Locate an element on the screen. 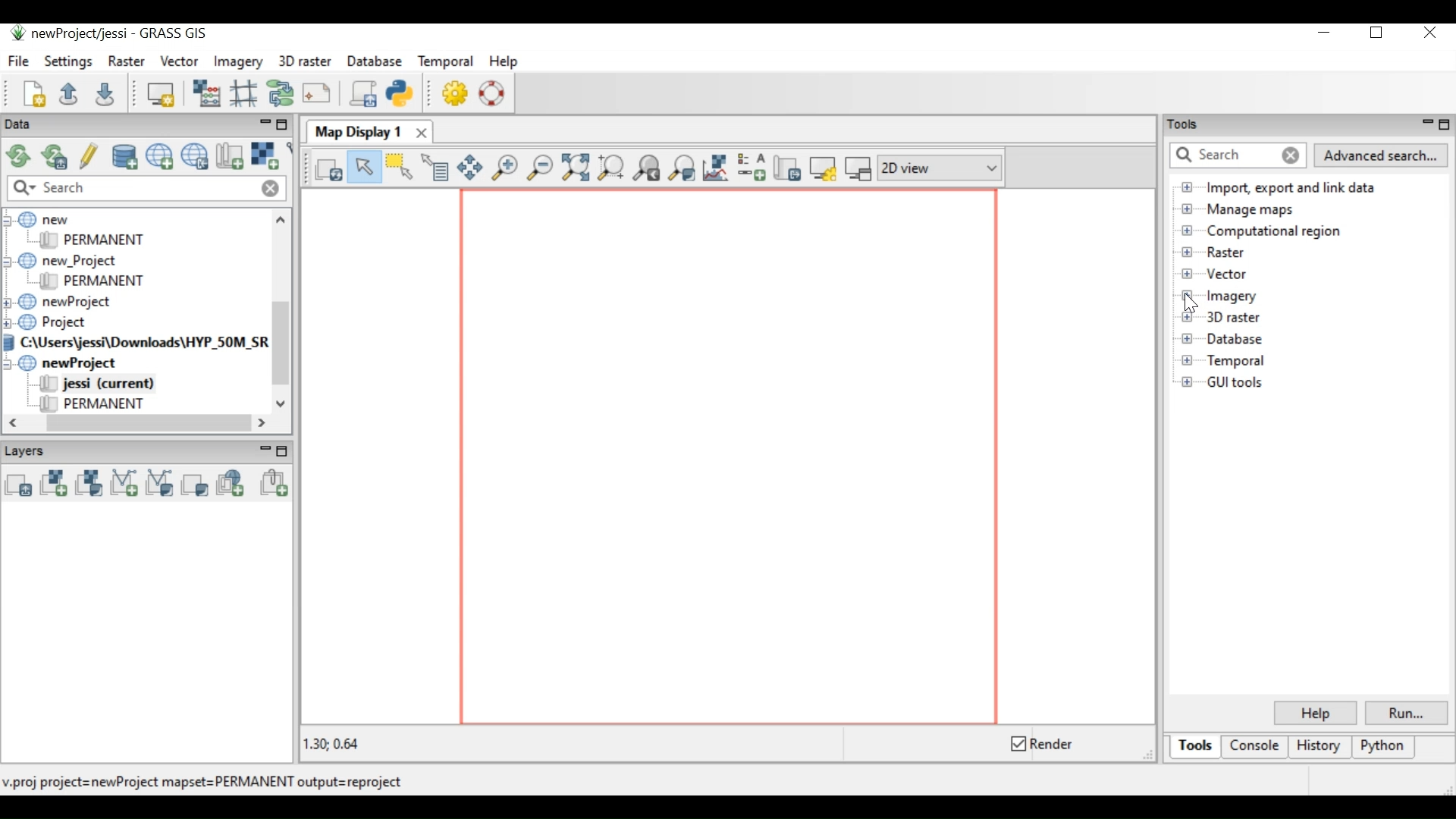  proj project=newProject mapset=PERMANENT output=reproject is located at coordinates (228, 782).